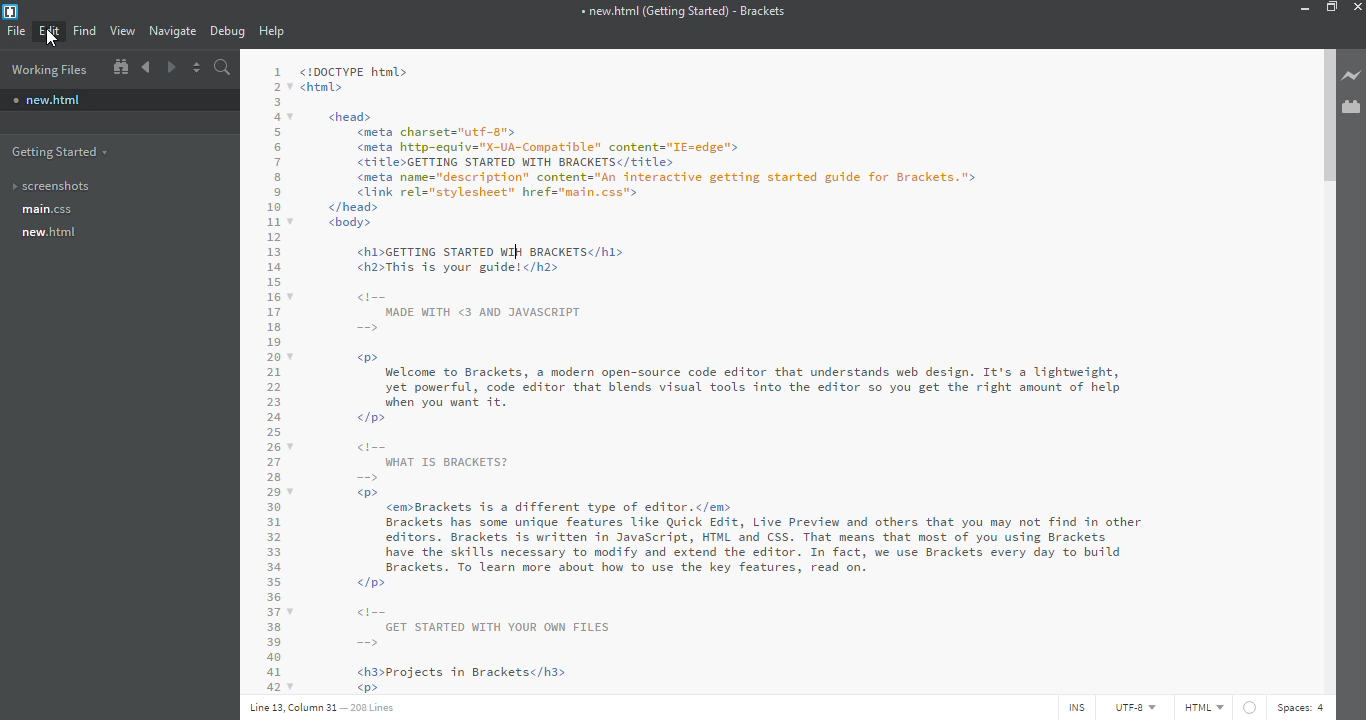 Image resolution: width=1366 pixels, height=720 pixels. Describe the element at coordinates (274, 377) in the screenshot. I see `cod eline` at that location.